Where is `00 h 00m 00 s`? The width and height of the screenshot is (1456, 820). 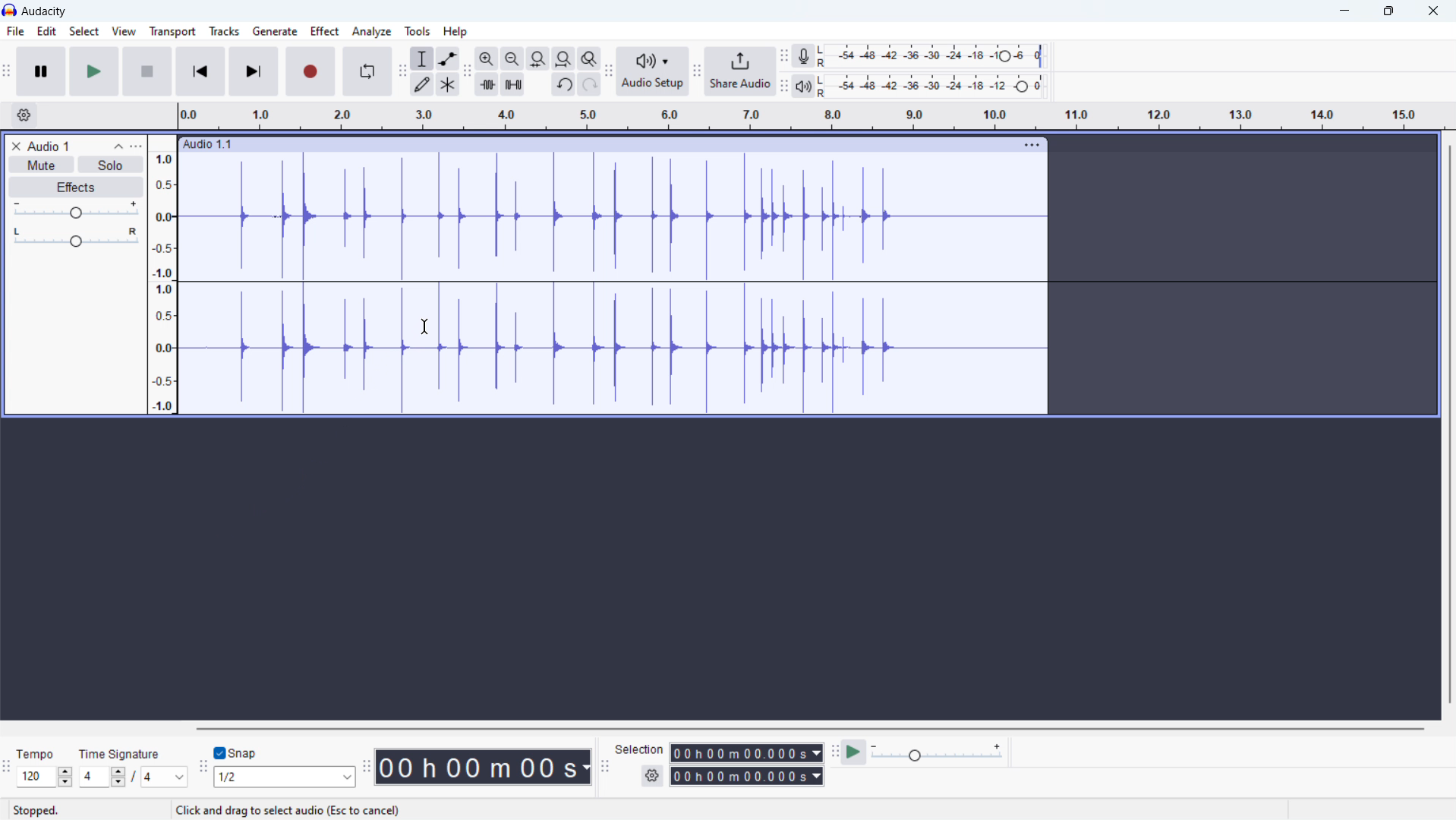
00 h 00m 00 s is located at coordinates (486, 768).